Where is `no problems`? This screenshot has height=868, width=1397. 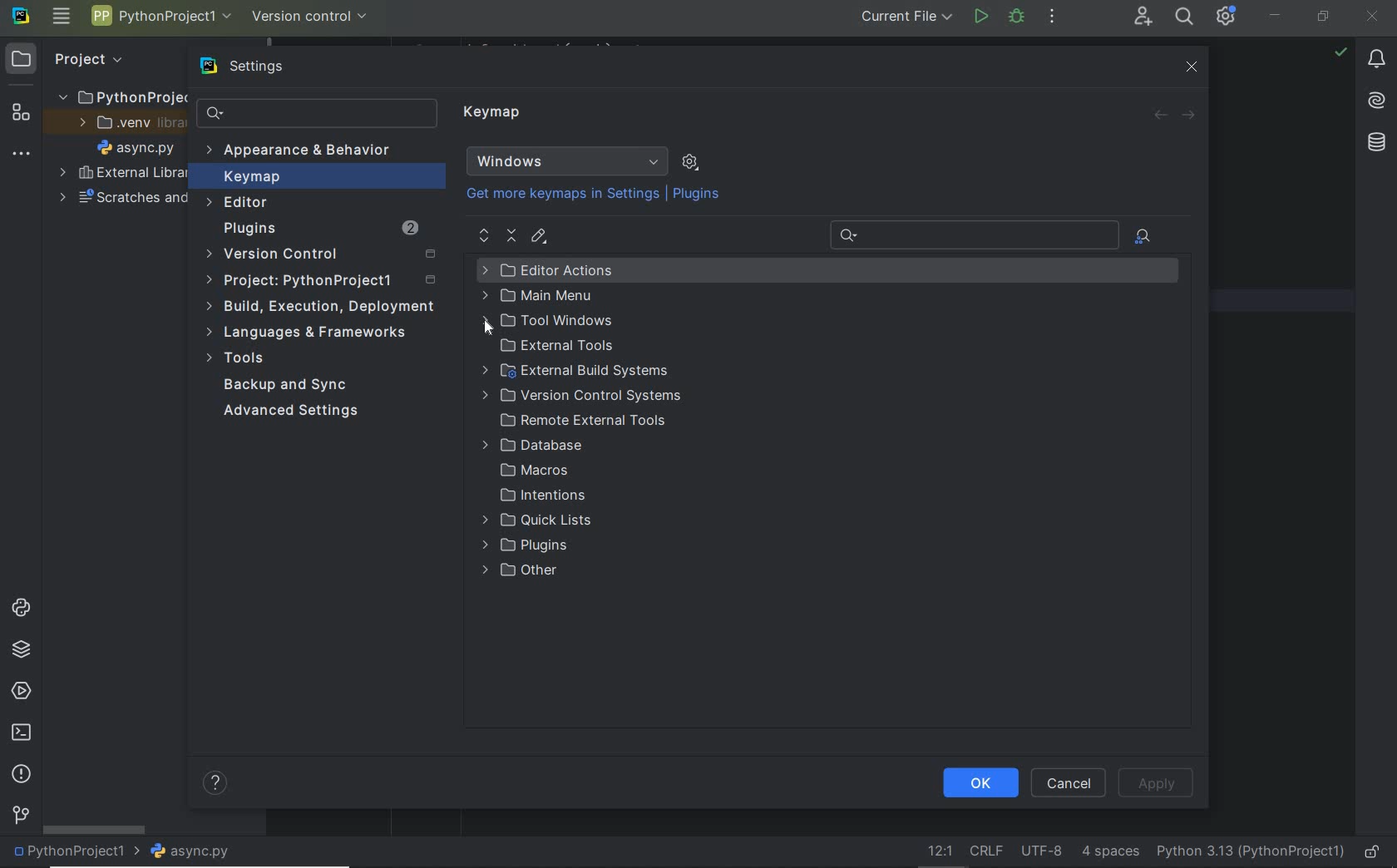 no problems is located at coordinates (1340, 52).